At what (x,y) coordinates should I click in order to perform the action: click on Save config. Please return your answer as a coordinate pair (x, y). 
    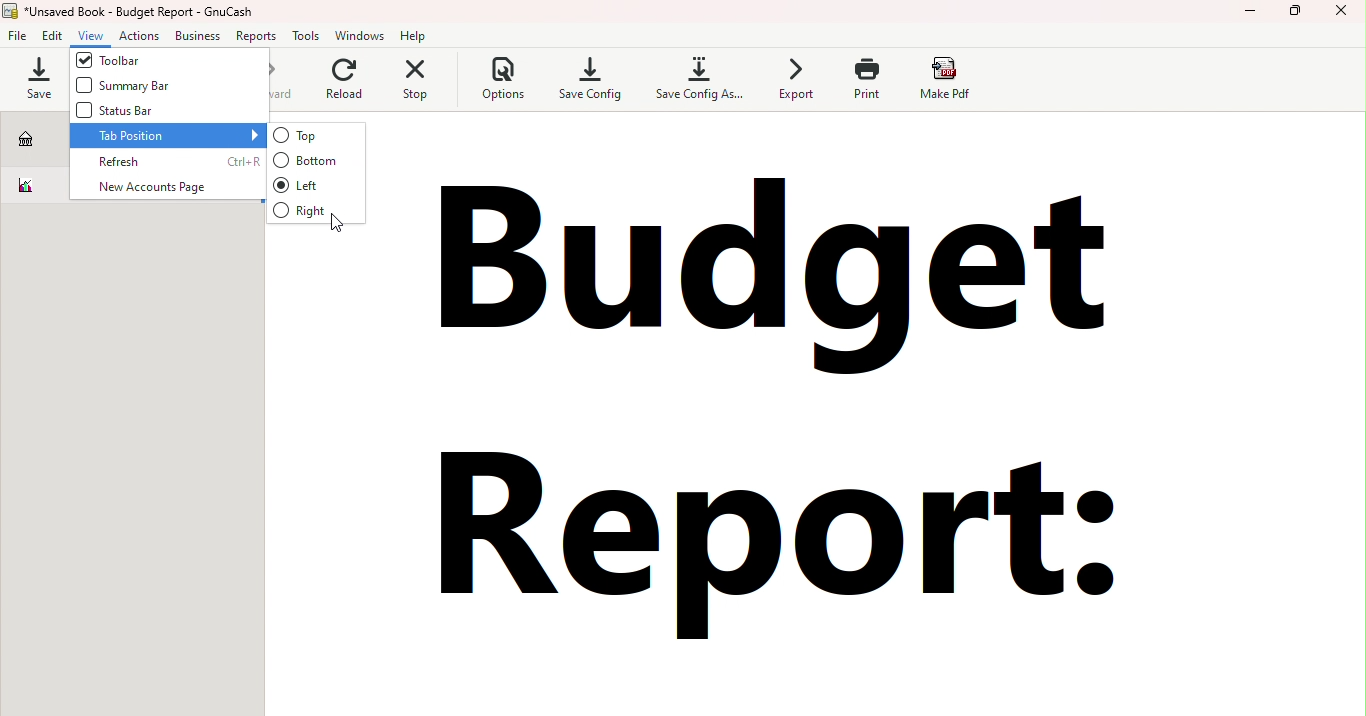
    Looking at the image, I should click on (586, 78).